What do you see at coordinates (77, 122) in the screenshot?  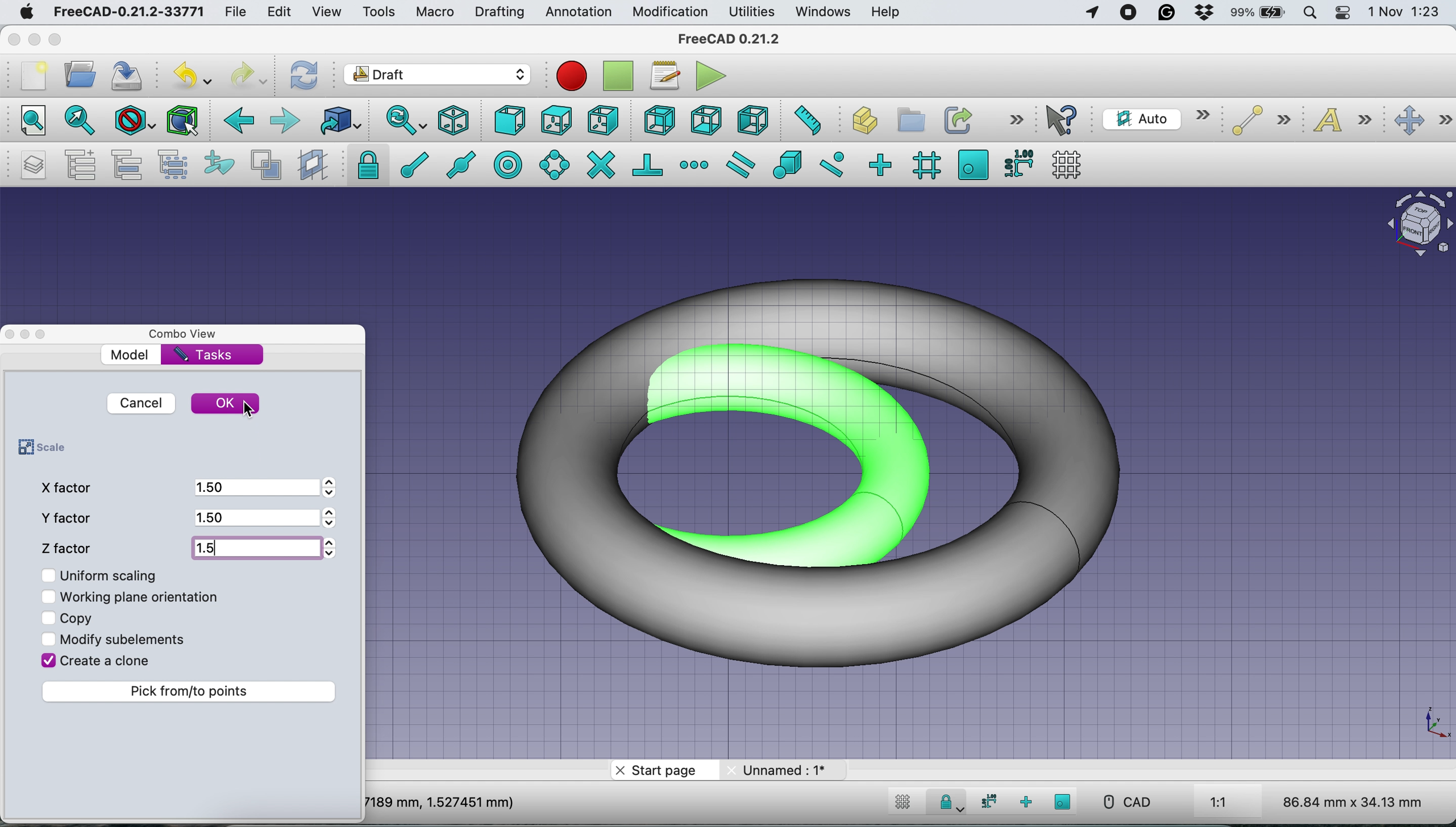 I see `fit all selection` at bounding box center [77, 122].